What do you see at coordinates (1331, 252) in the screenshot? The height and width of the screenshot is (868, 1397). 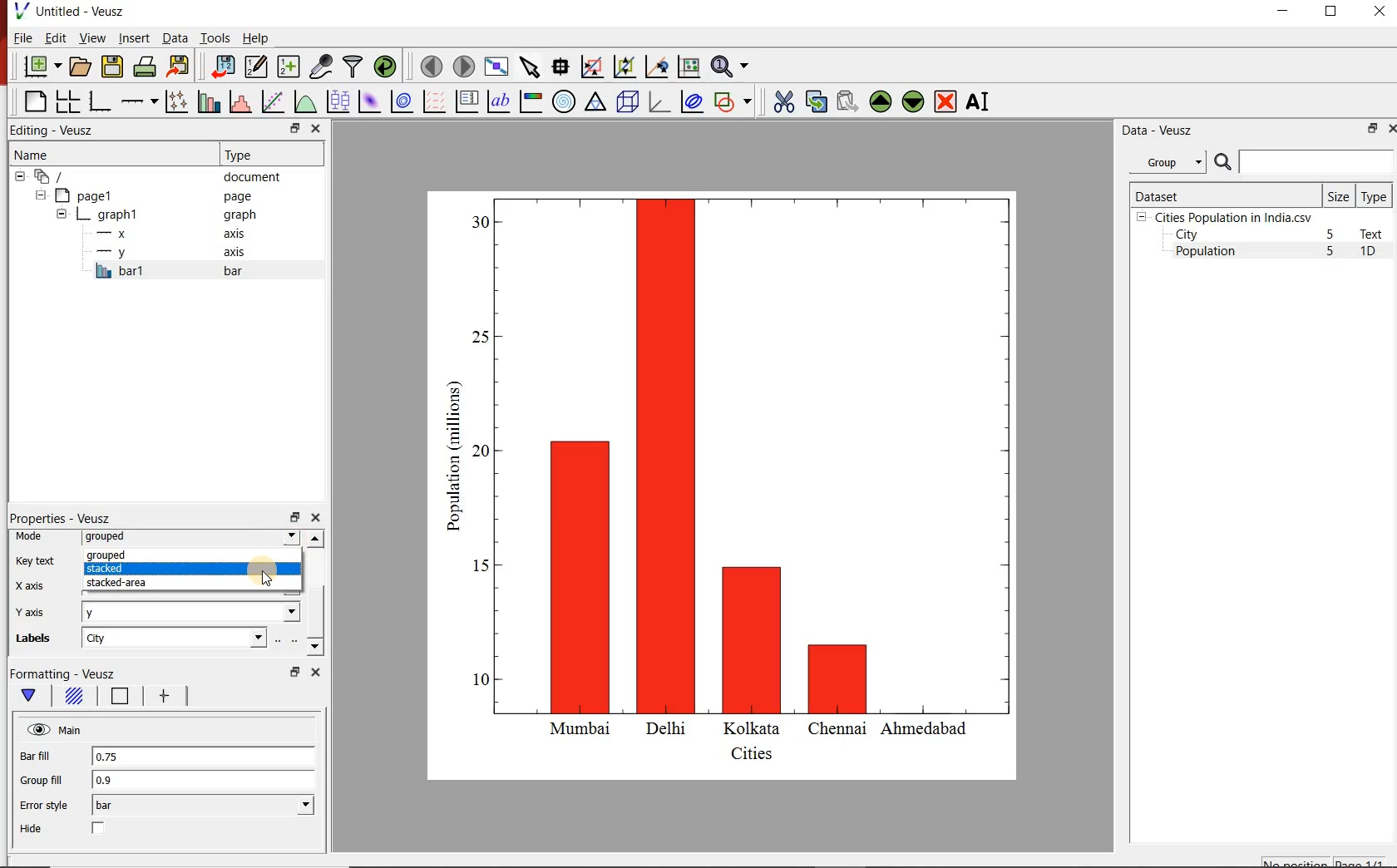 I see `5` at bounding box center [1331, 252].